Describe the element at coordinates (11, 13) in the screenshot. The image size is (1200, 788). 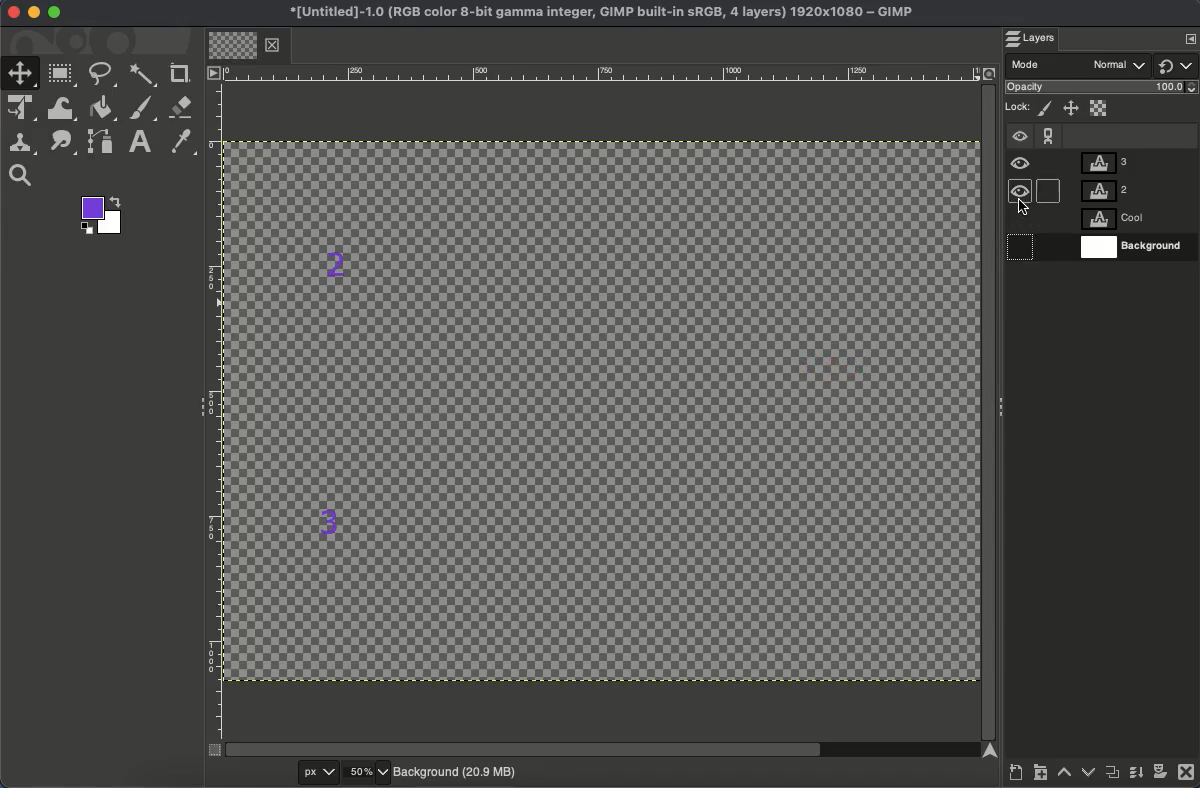
I see `Close` at that location.